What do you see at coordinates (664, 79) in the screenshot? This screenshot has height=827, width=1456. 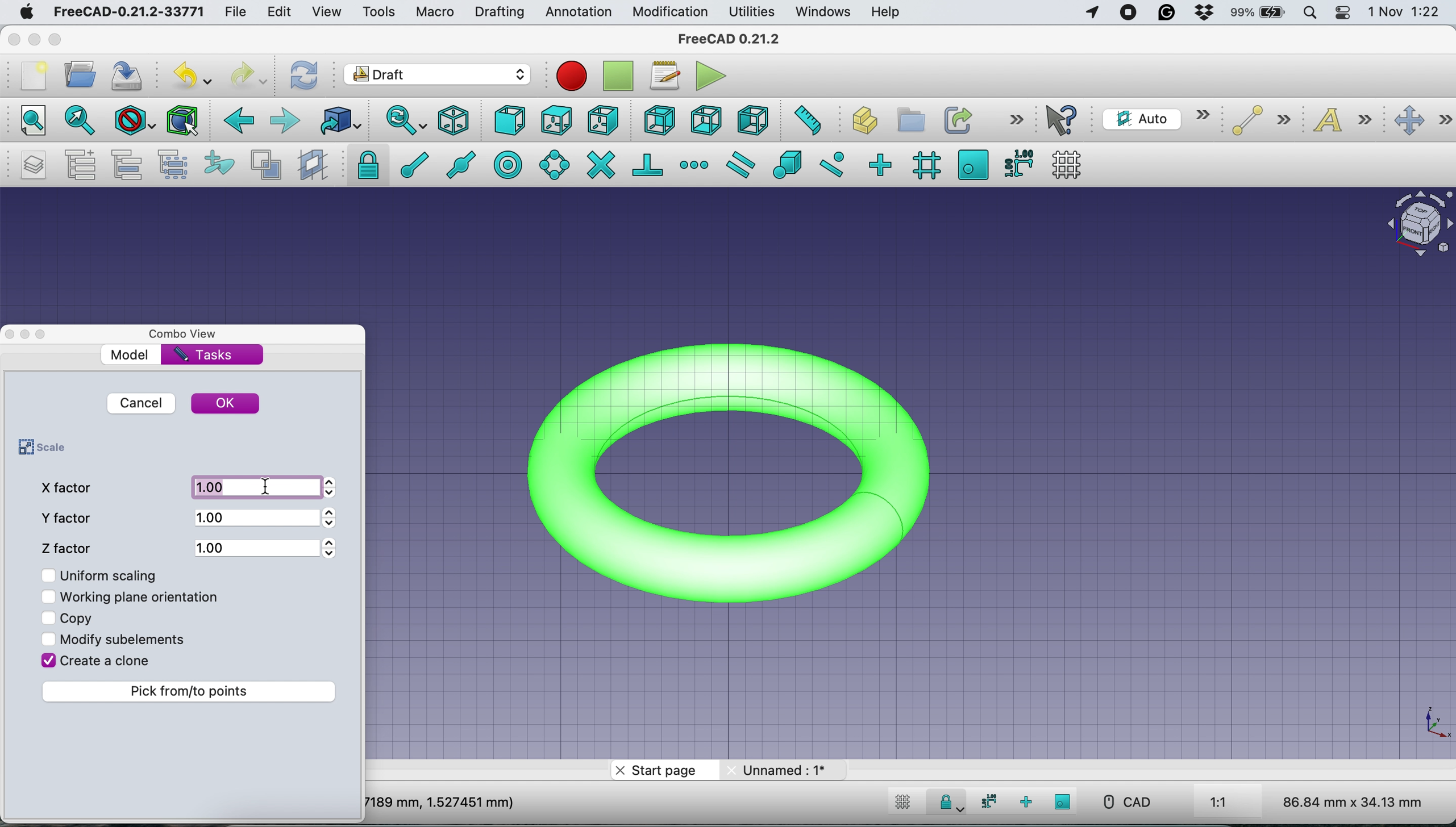 I see `macros` at bounding box center [664, 79].